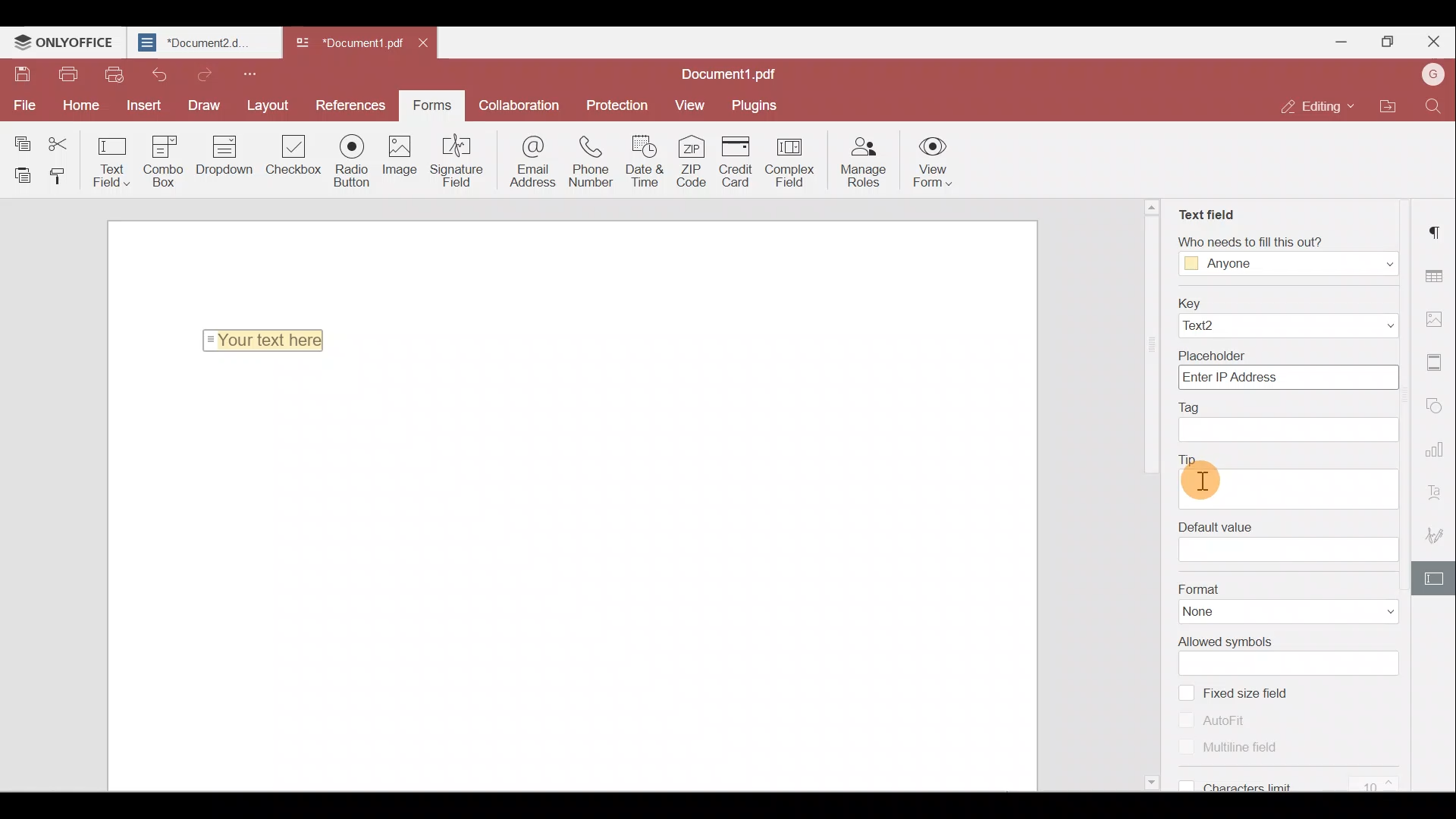  I want to click on Cut, so click(64, 140).